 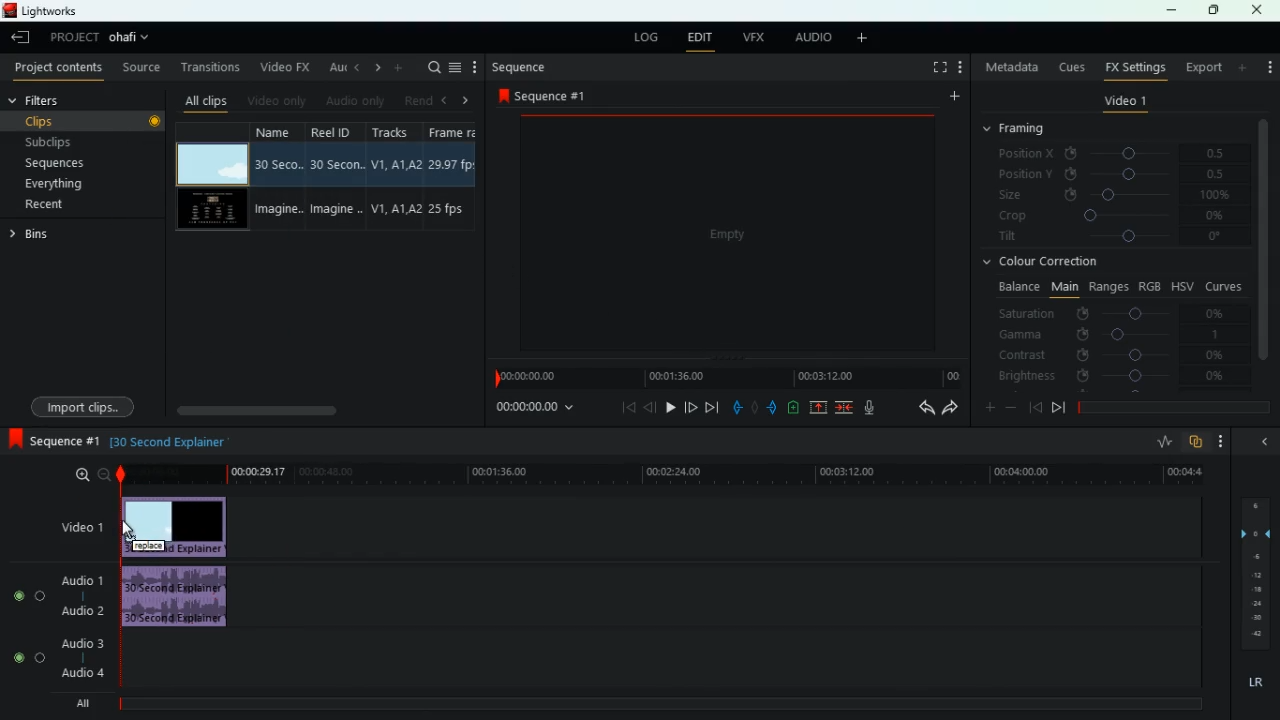 What do you see at coordinates (133, 39) in the screenshot?
I see `project name` at bounding box center [133, 39].